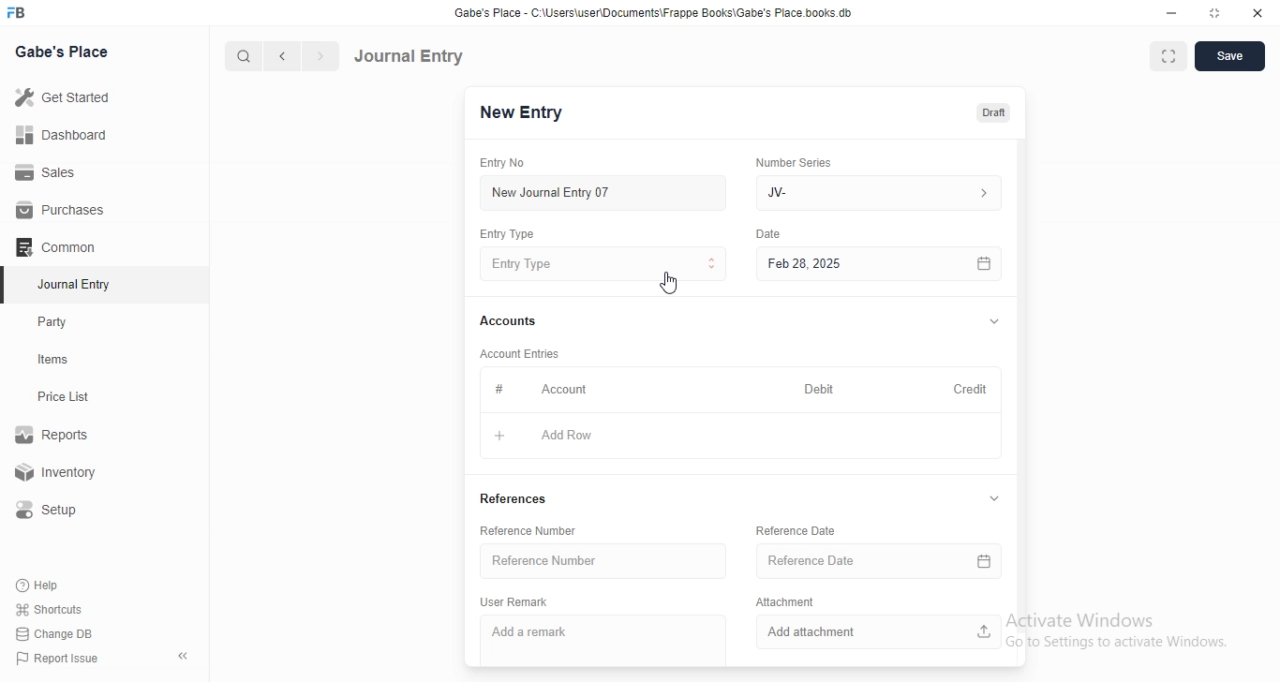 This screenshot has height=682, width=1280. Describe the element at coordinates (522, 353) in the screenshot. I see `‘Account Entries` at that location.